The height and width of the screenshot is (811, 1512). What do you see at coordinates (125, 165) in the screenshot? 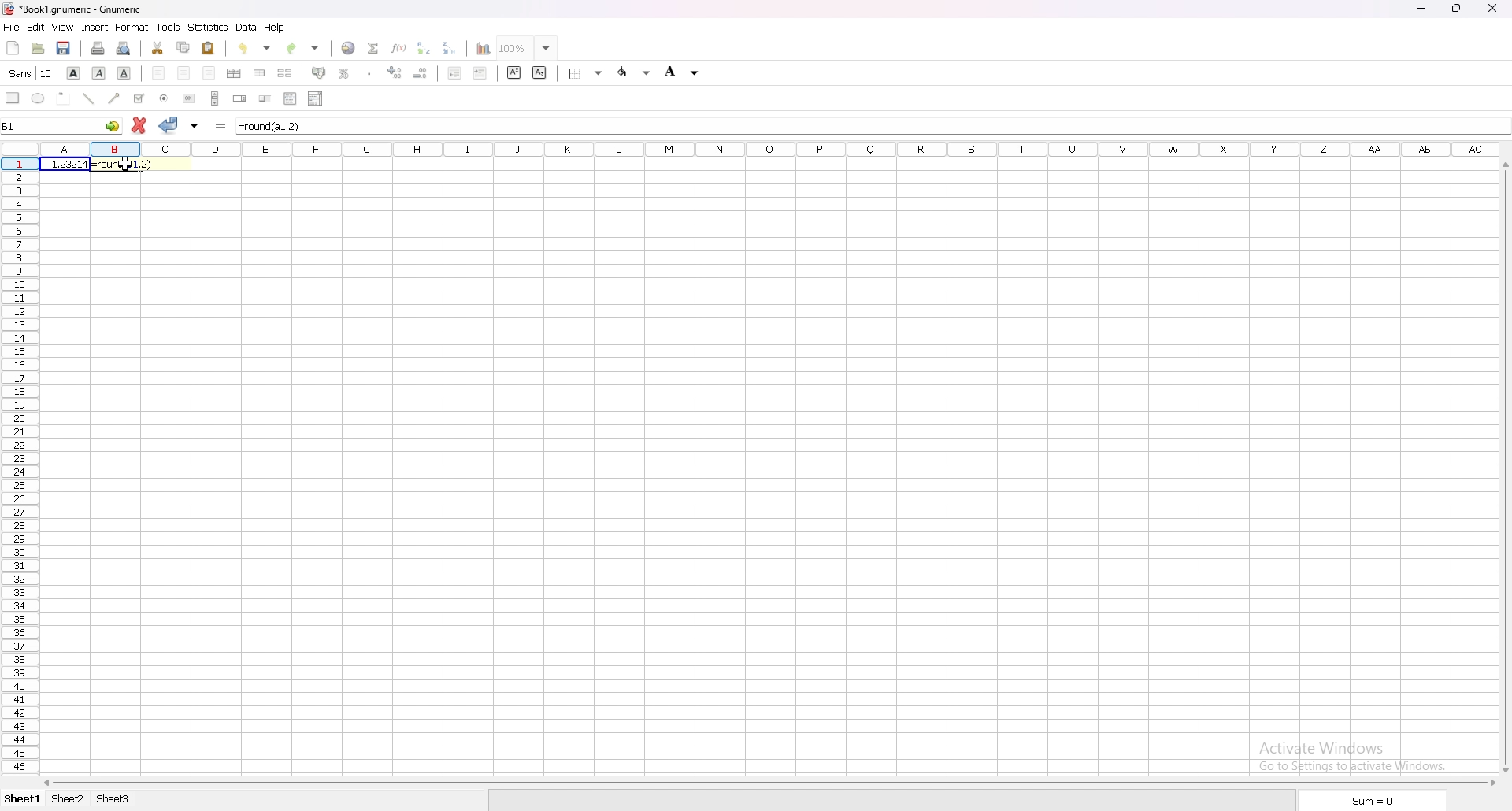
I see `cursor` at bounding box center [125, 165].